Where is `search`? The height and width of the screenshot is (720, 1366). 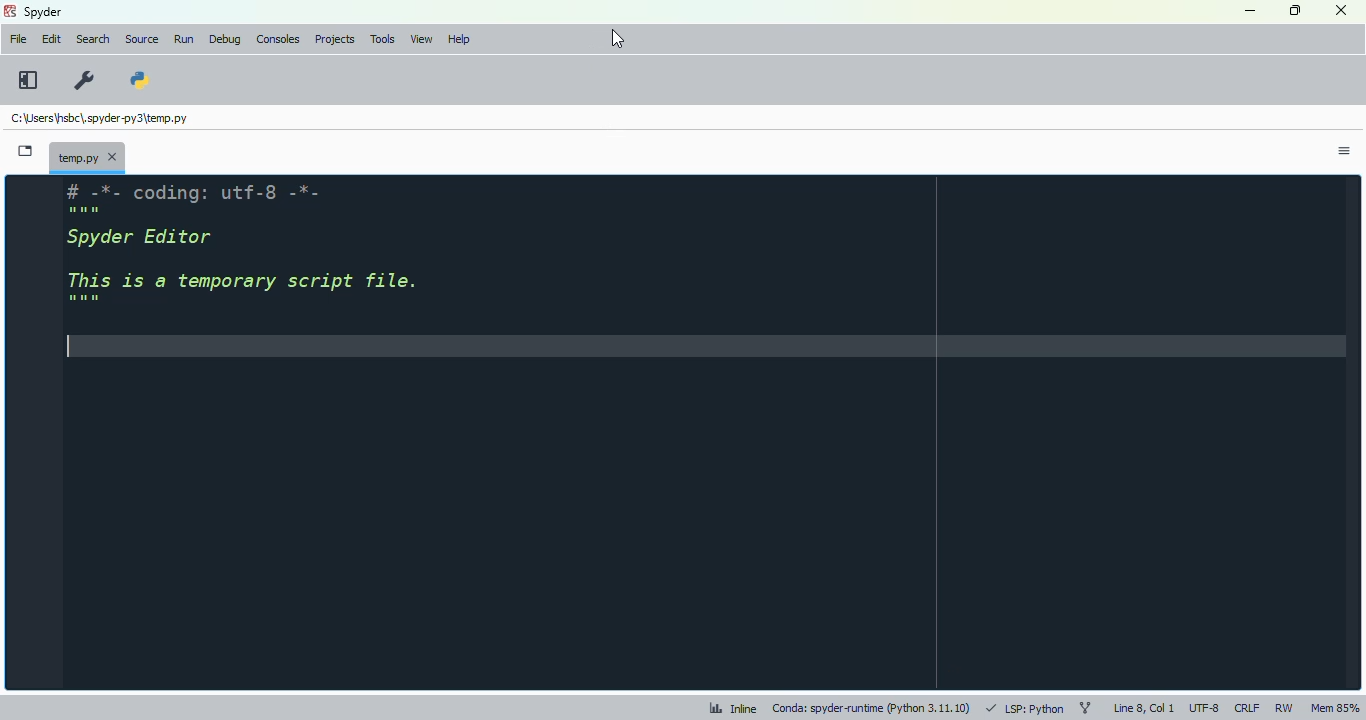 search is located at coordinates (93, 39).